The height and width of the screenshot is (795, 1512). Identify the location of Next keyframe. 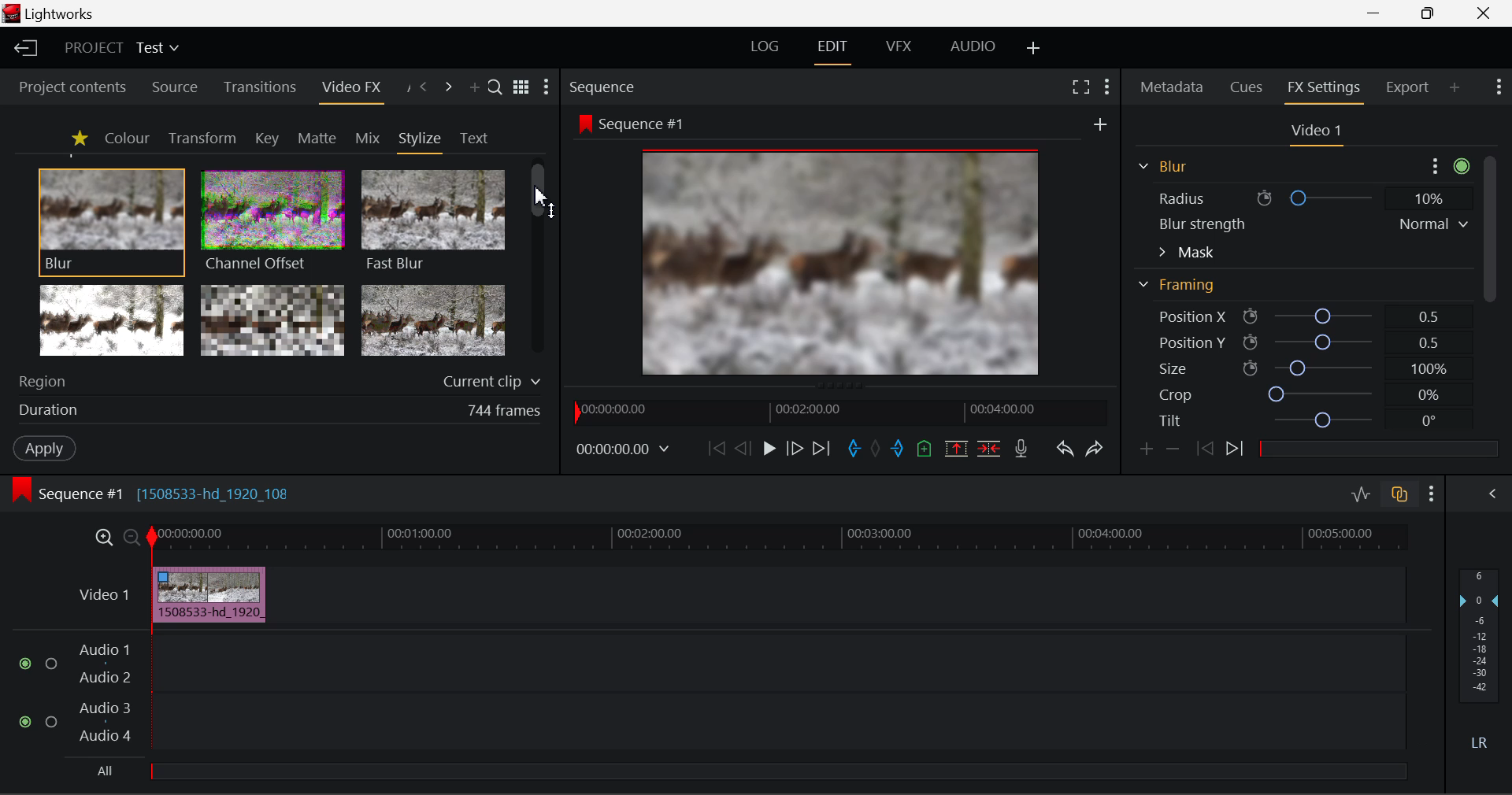
(1235, 452).